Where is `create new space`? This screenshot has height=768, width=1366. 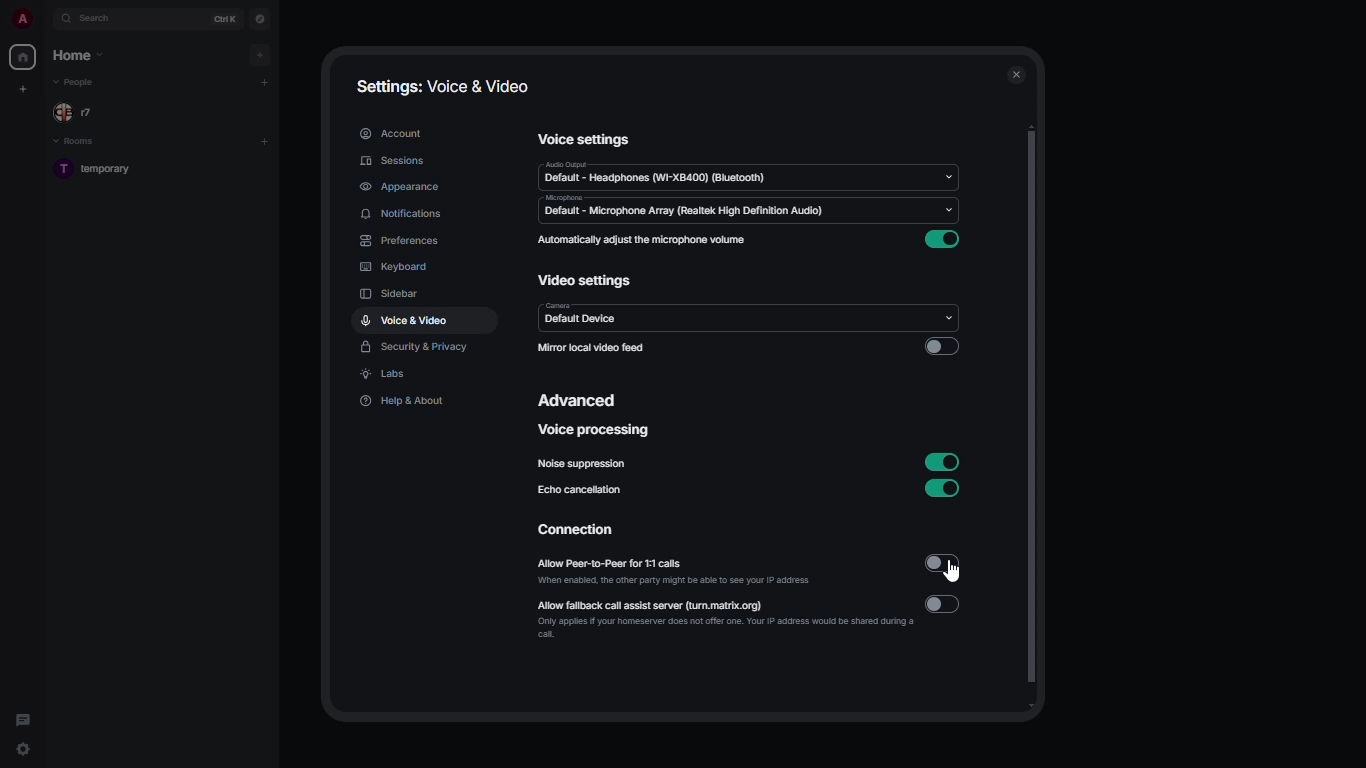 create new space is located at coordinates (25, 88).